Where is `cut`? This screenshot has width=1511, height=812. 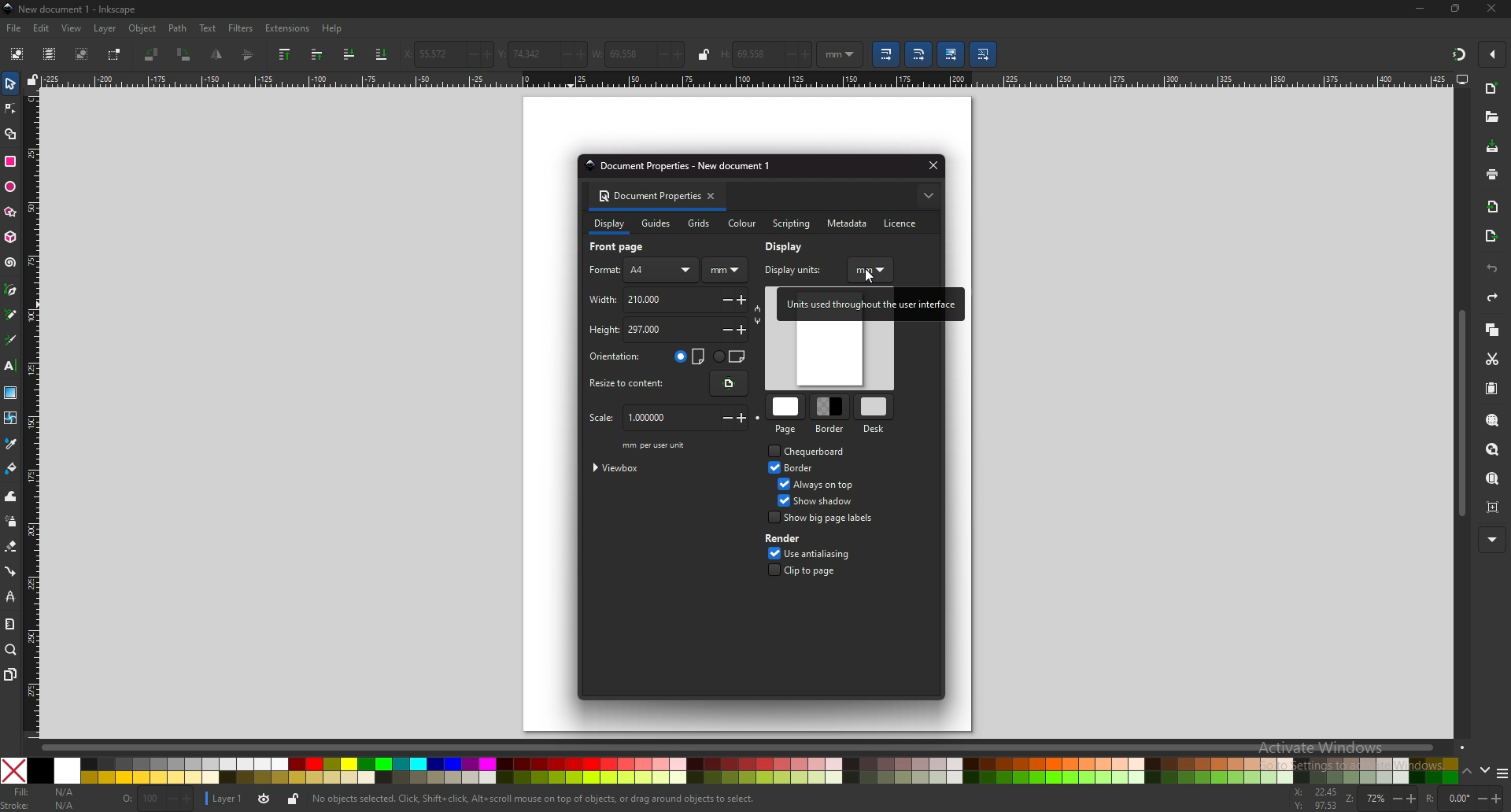
cut is located at coordinates (1492, 360).